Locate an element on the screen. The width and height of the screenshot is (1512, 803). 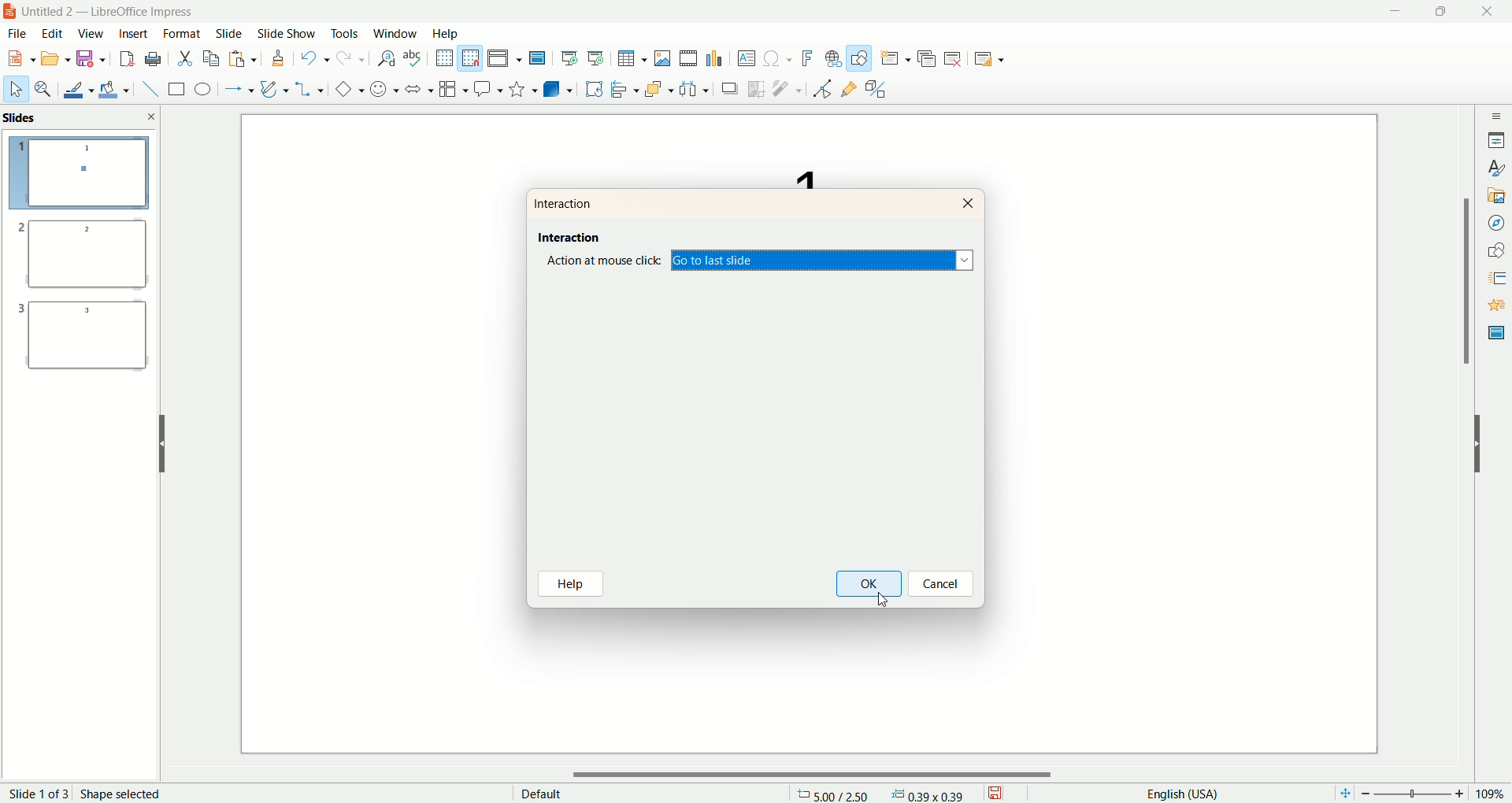
file is located at coordinates (22, 34).